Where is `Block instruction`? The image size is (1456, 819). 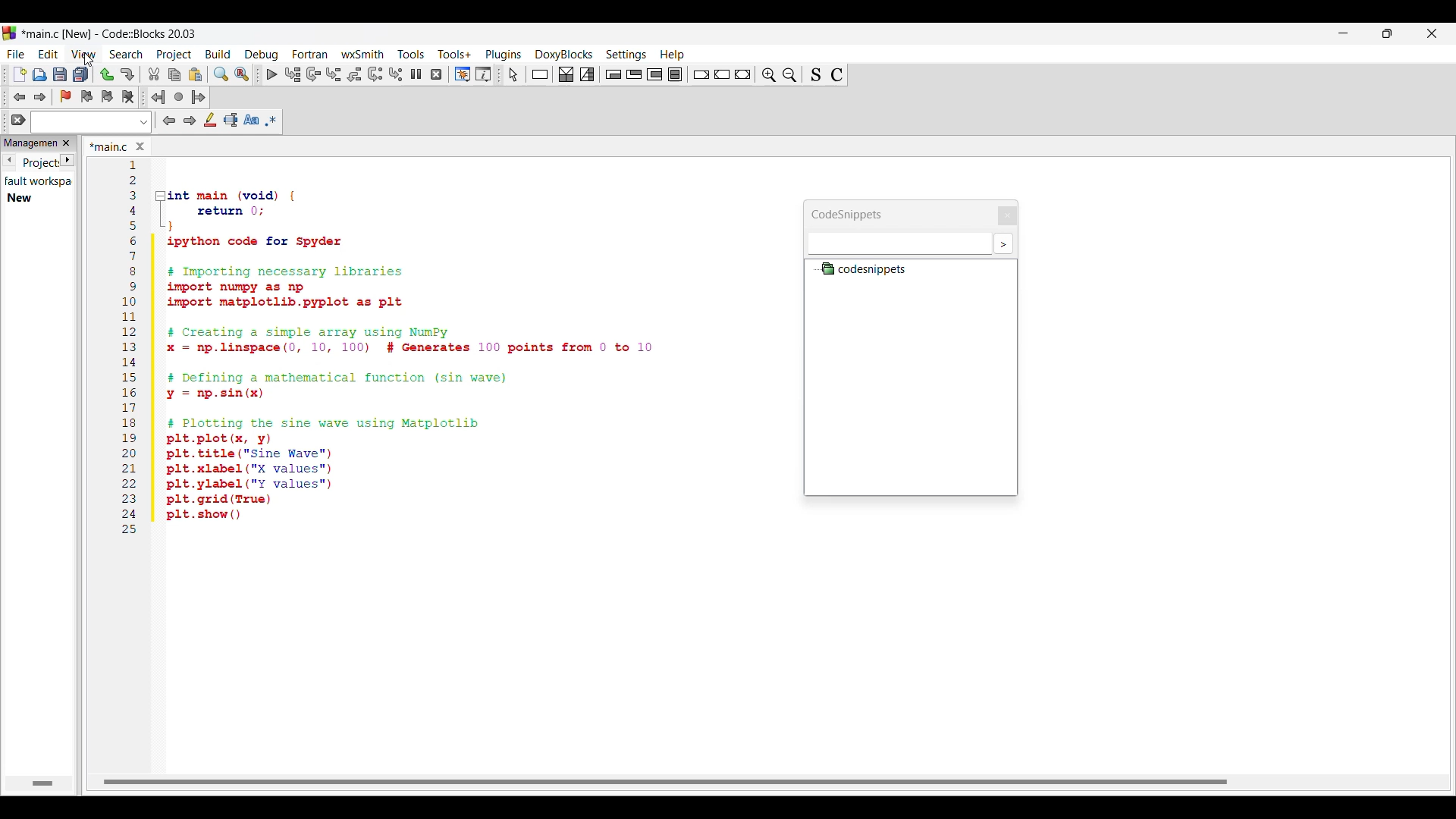 Block instruction is located at coordinates (675, 74).